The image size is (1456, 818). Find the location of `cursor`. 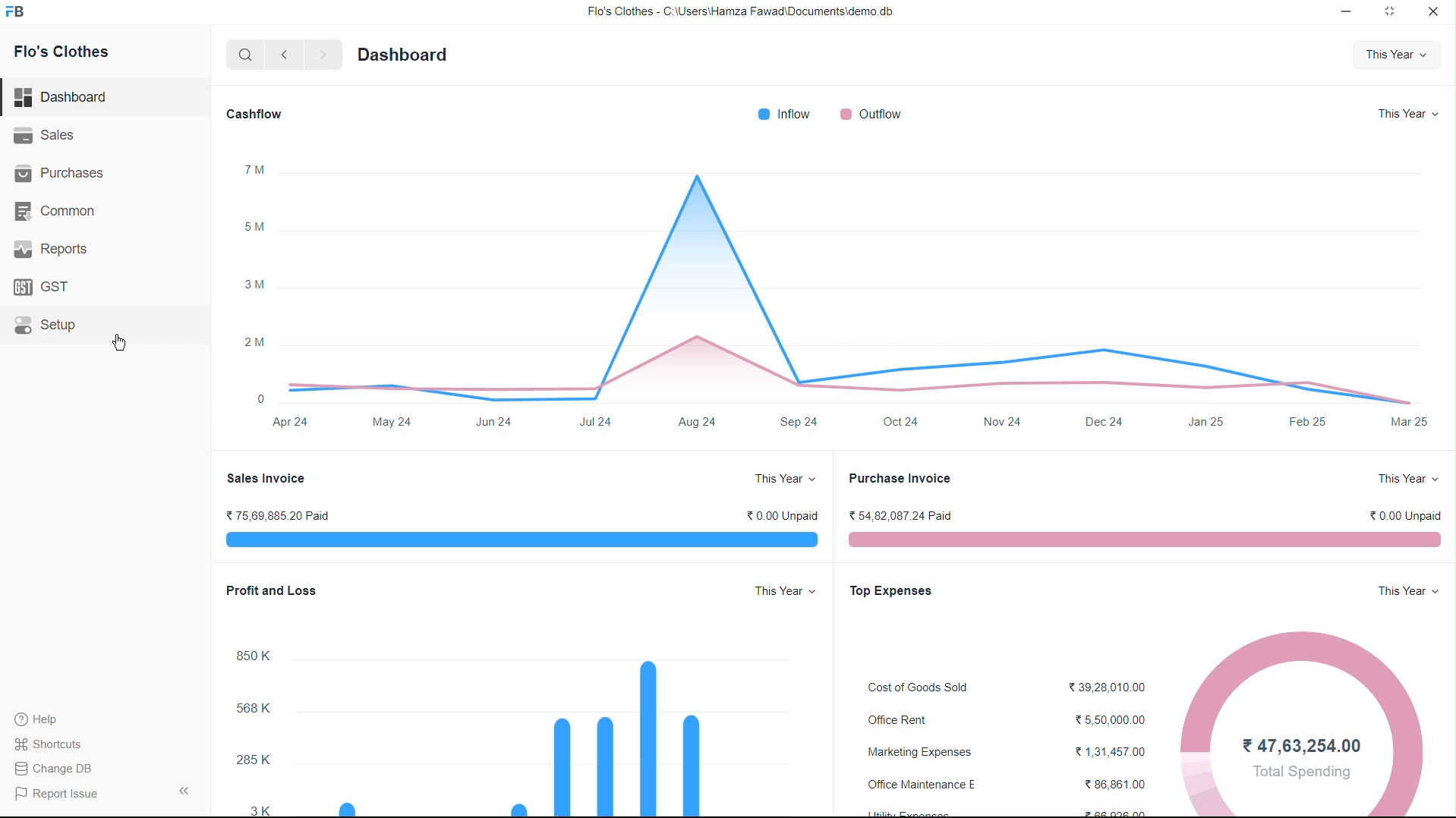

cursor is located at coordinates (114, 341).